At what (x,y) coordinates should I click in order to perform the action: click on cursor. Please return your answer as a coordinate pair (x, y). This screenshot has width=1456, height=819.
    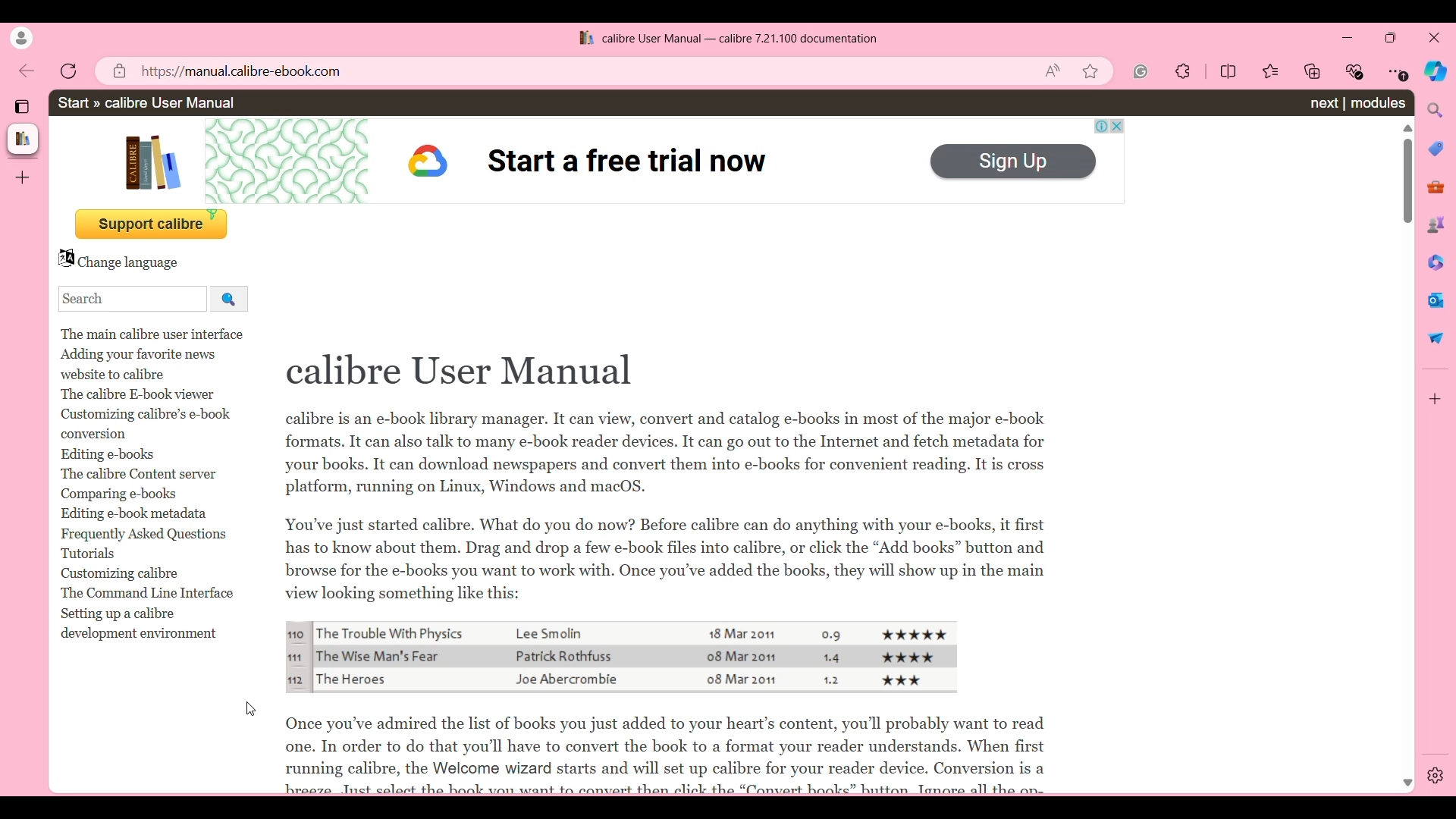
    Looking at the image, I should click on (248, 709).